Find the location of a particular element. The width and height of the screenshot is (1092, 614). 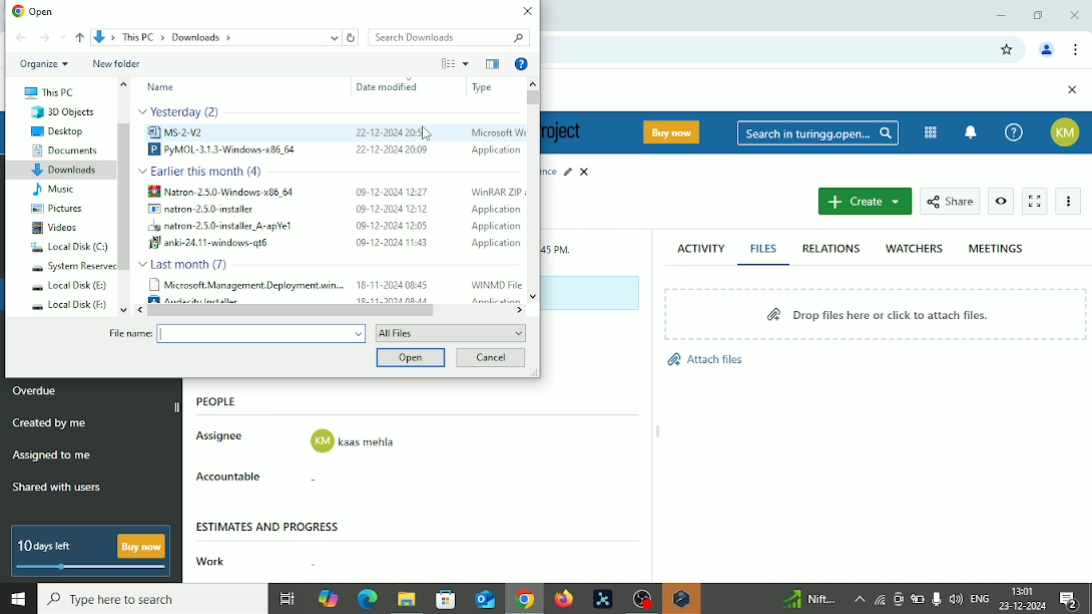

Pictures is located at coordinates (59, 208).